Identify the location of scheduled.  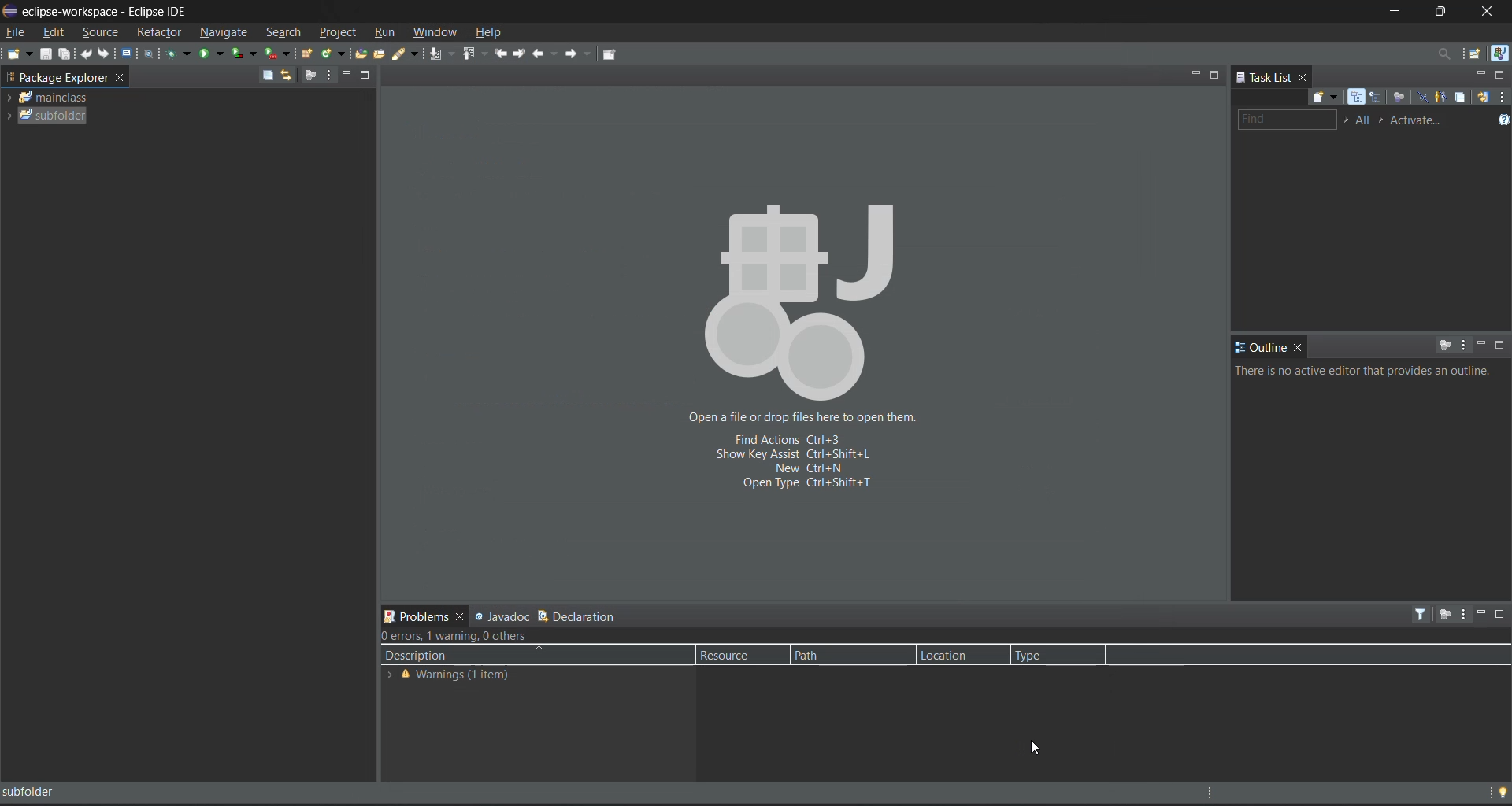
(1376, 97).